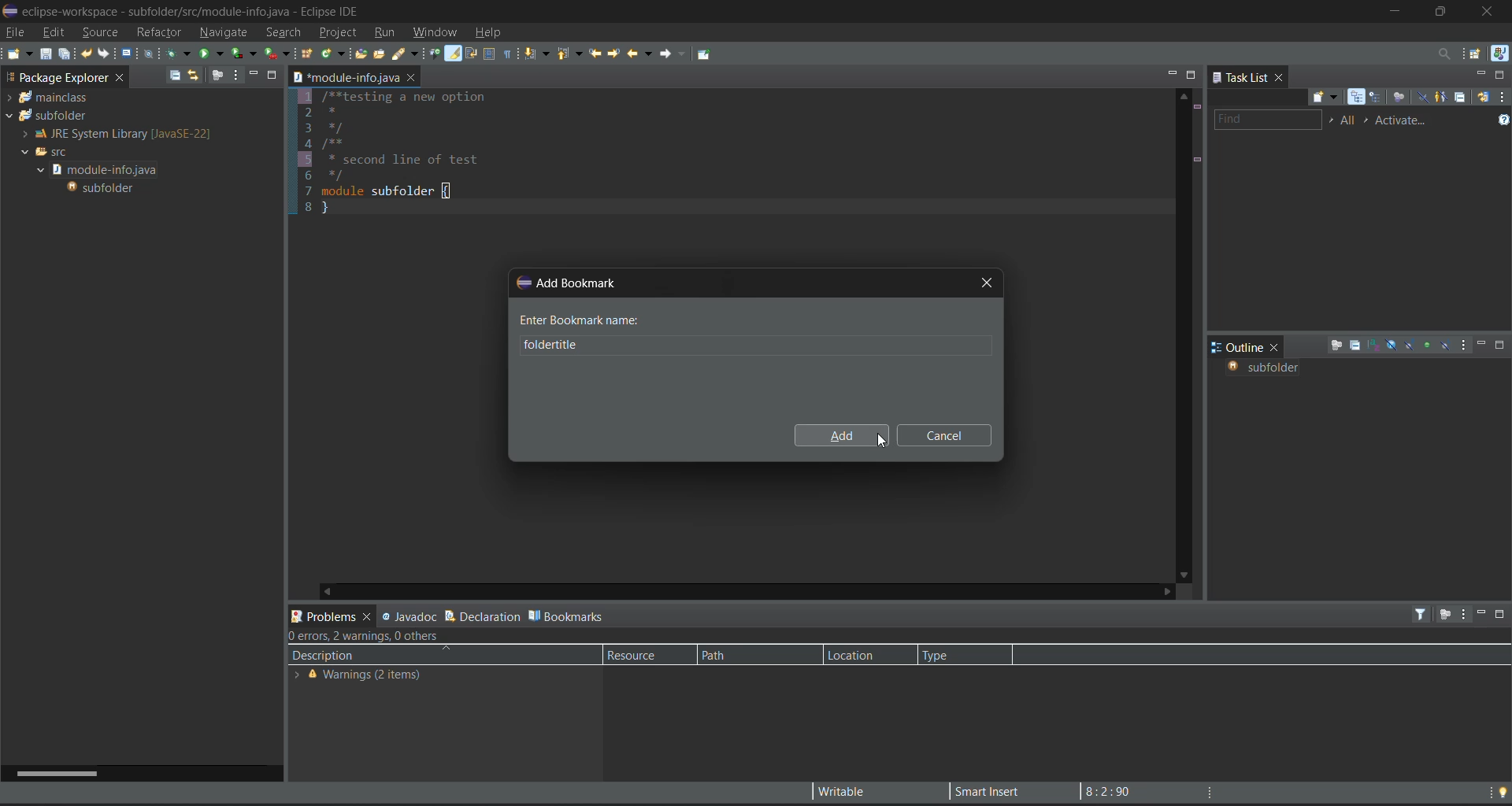 This screenshot has height=806, width=1512. I want to click on run last tool, so click(277, 55).